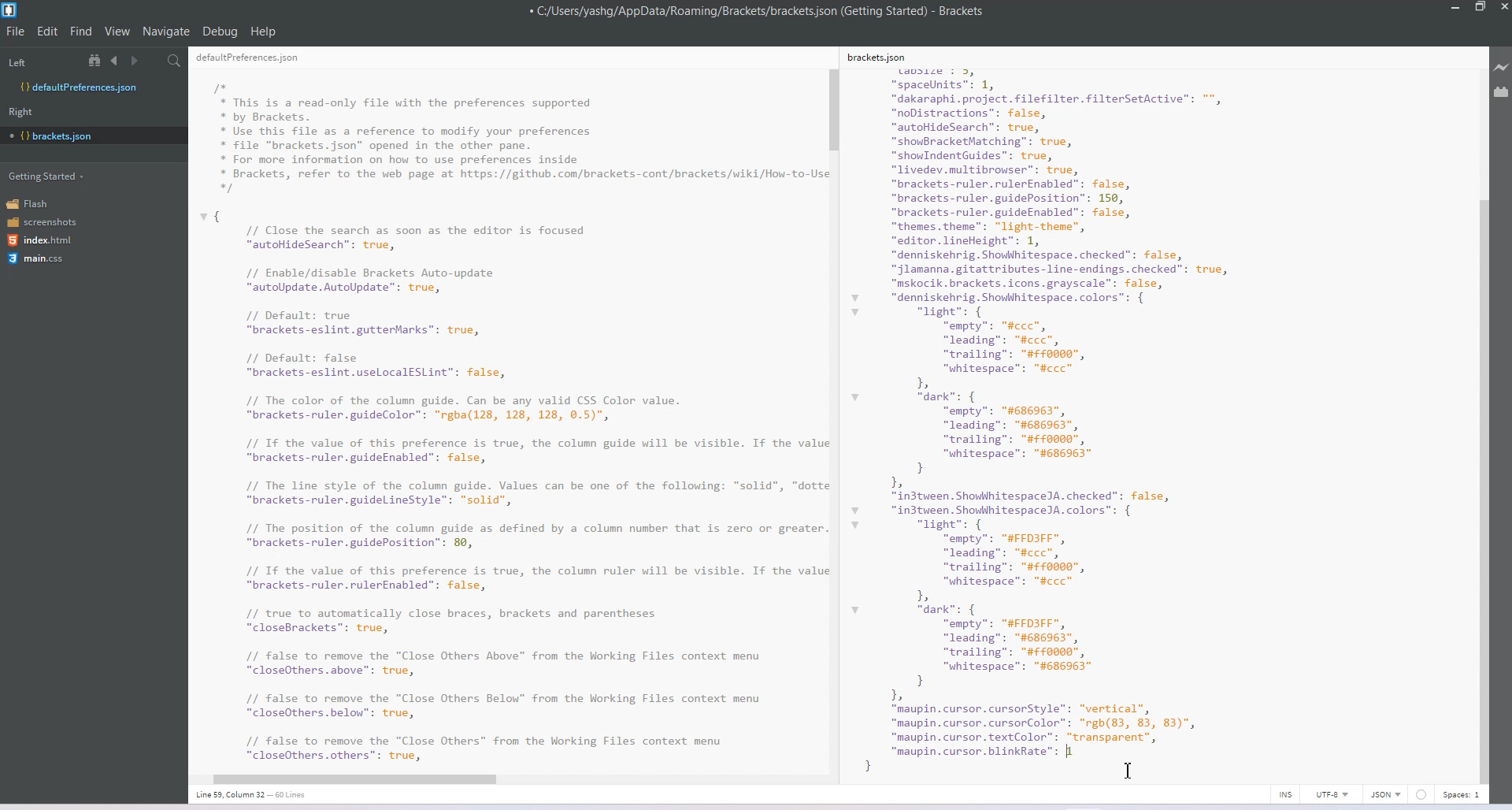 This screenshot has height=810, width=1512. Describe the element at coordinates (1457, 8) in the screenshot. I see `Minimize` at that location.